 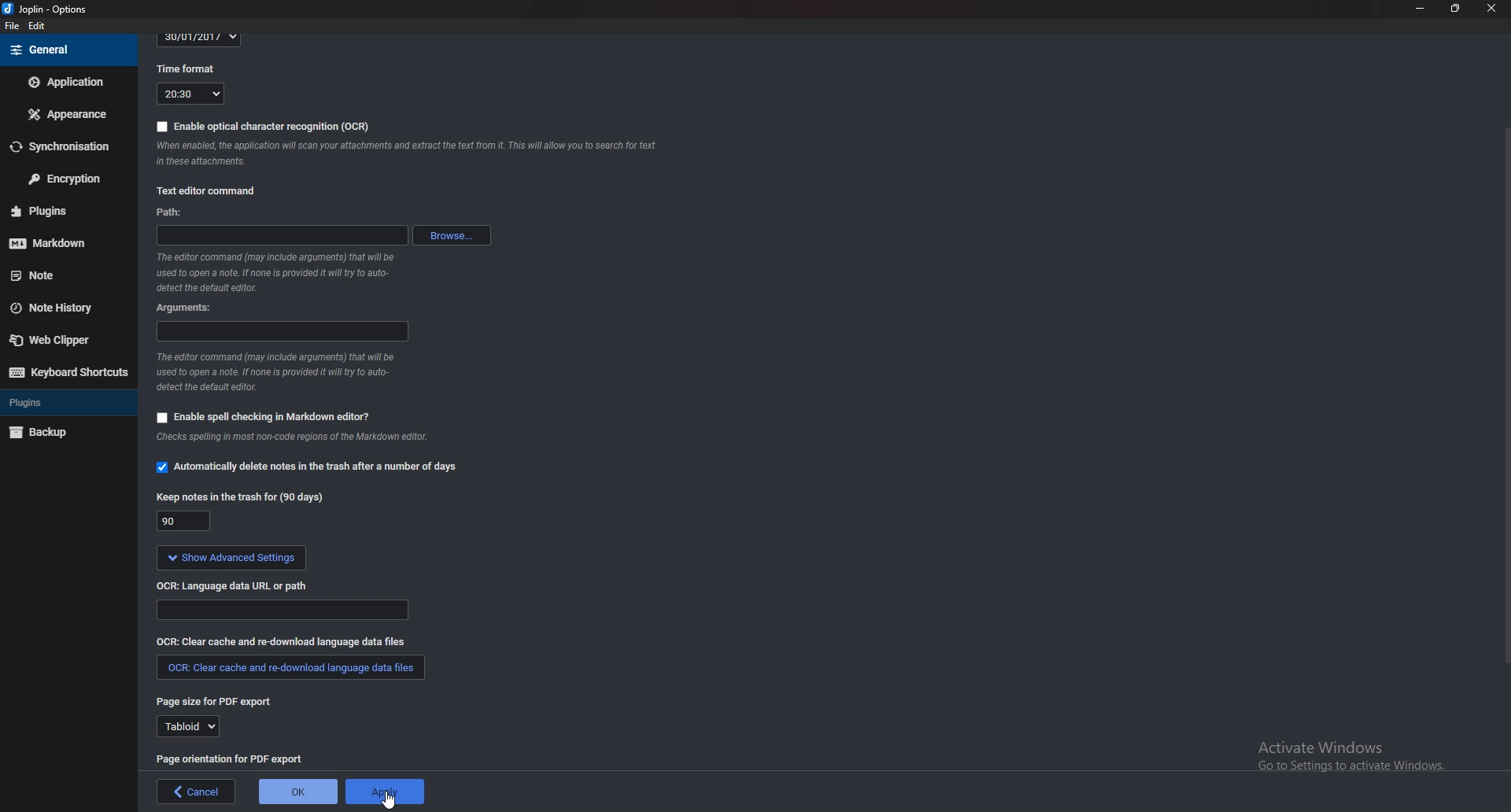 What do you see at coordinates (232, 758) in the screenshot?
I see `page orientation for P D F export` at bounding box center [232, 758].